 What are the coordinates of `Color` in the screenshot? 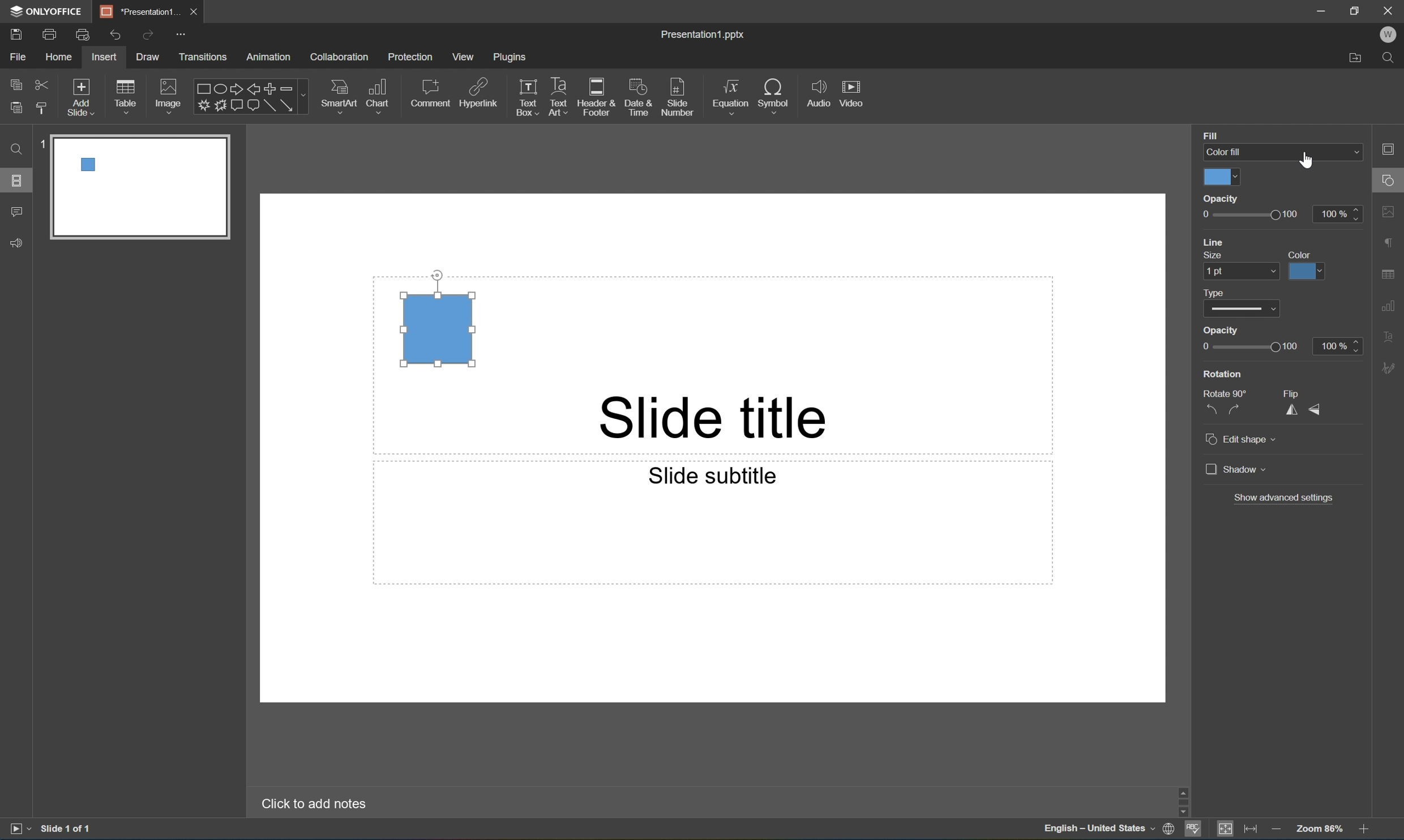 It's located at (1221, 177).